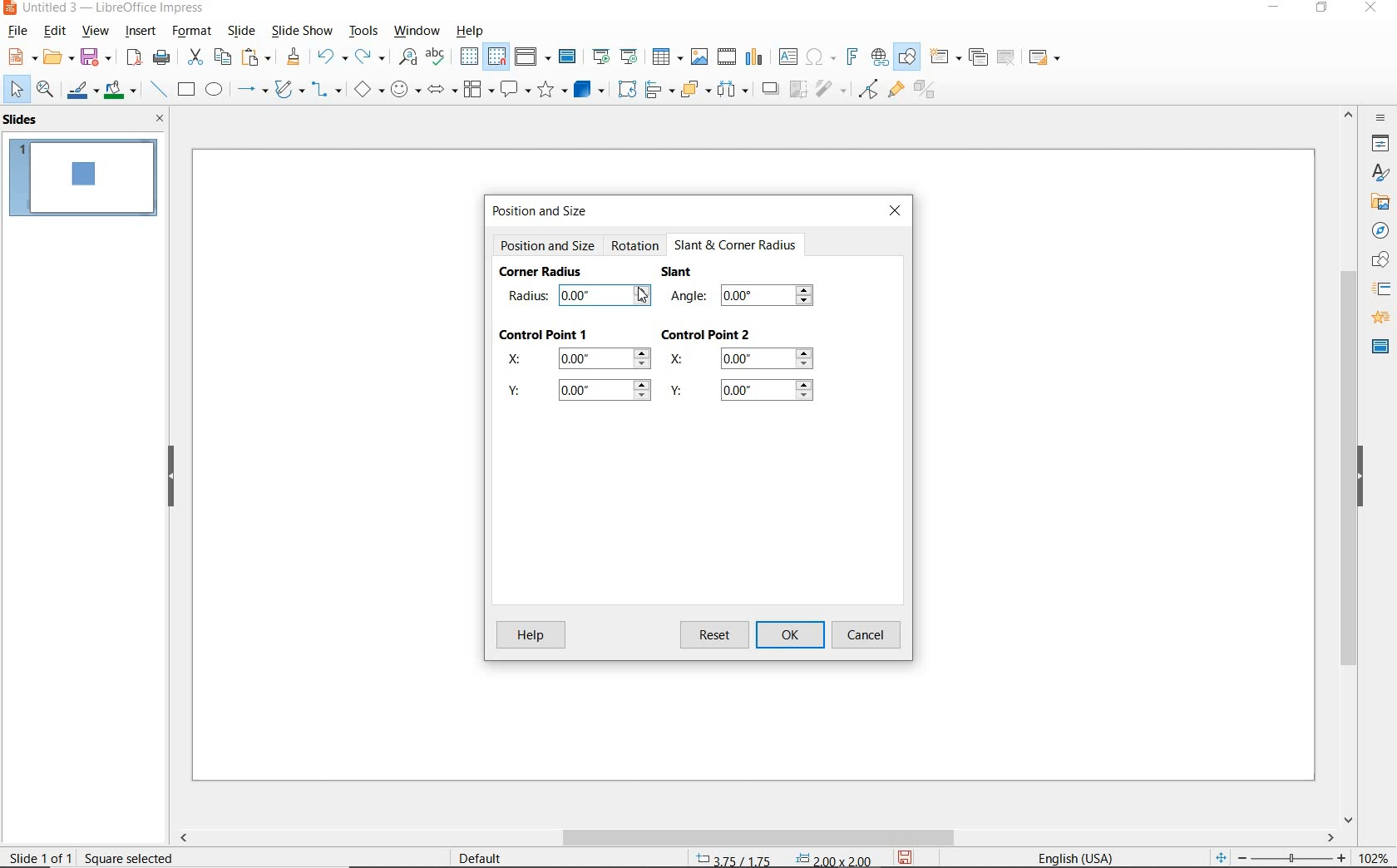  What do you see at coordinates (241, 32) in the screenshot?
I see `slide` at bounding box center [241, 32].